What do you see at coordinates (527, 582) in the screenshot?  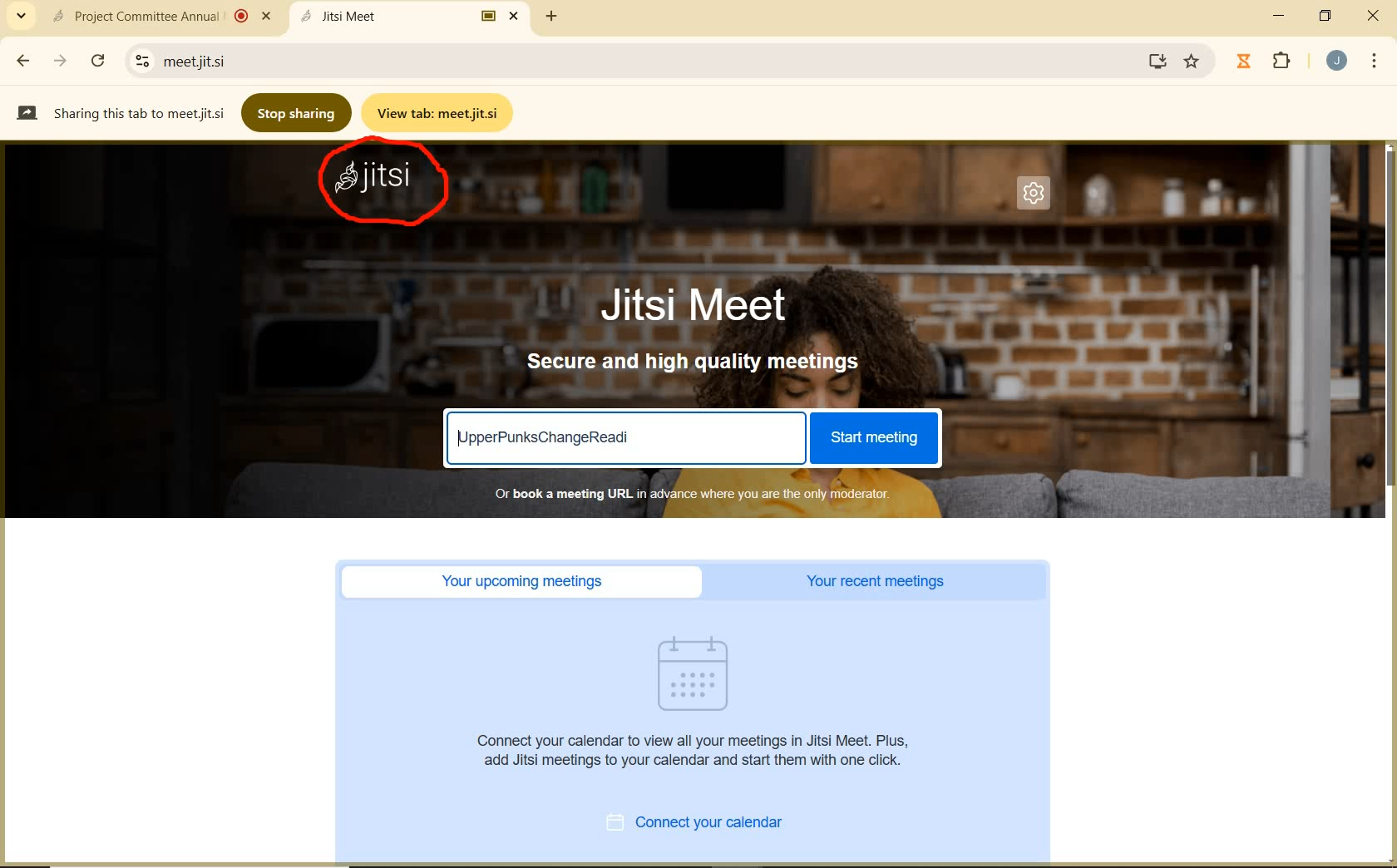 I see `YOUR UPCOMING MEETINGS` at bounding box center [527, 582].